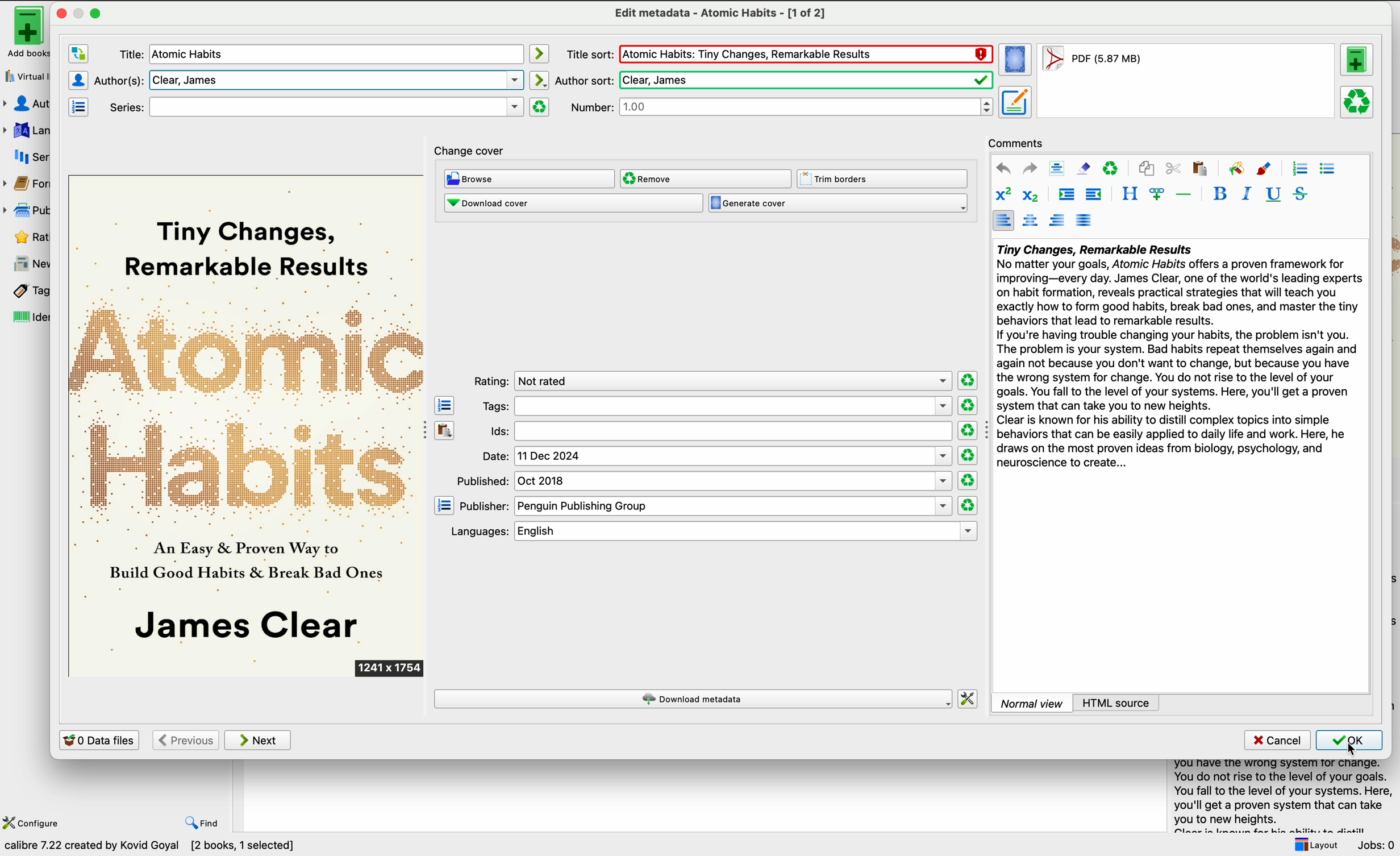  Describe the element at coordinates (119, 80) in the screenshot. I see `delete the text` at that location.